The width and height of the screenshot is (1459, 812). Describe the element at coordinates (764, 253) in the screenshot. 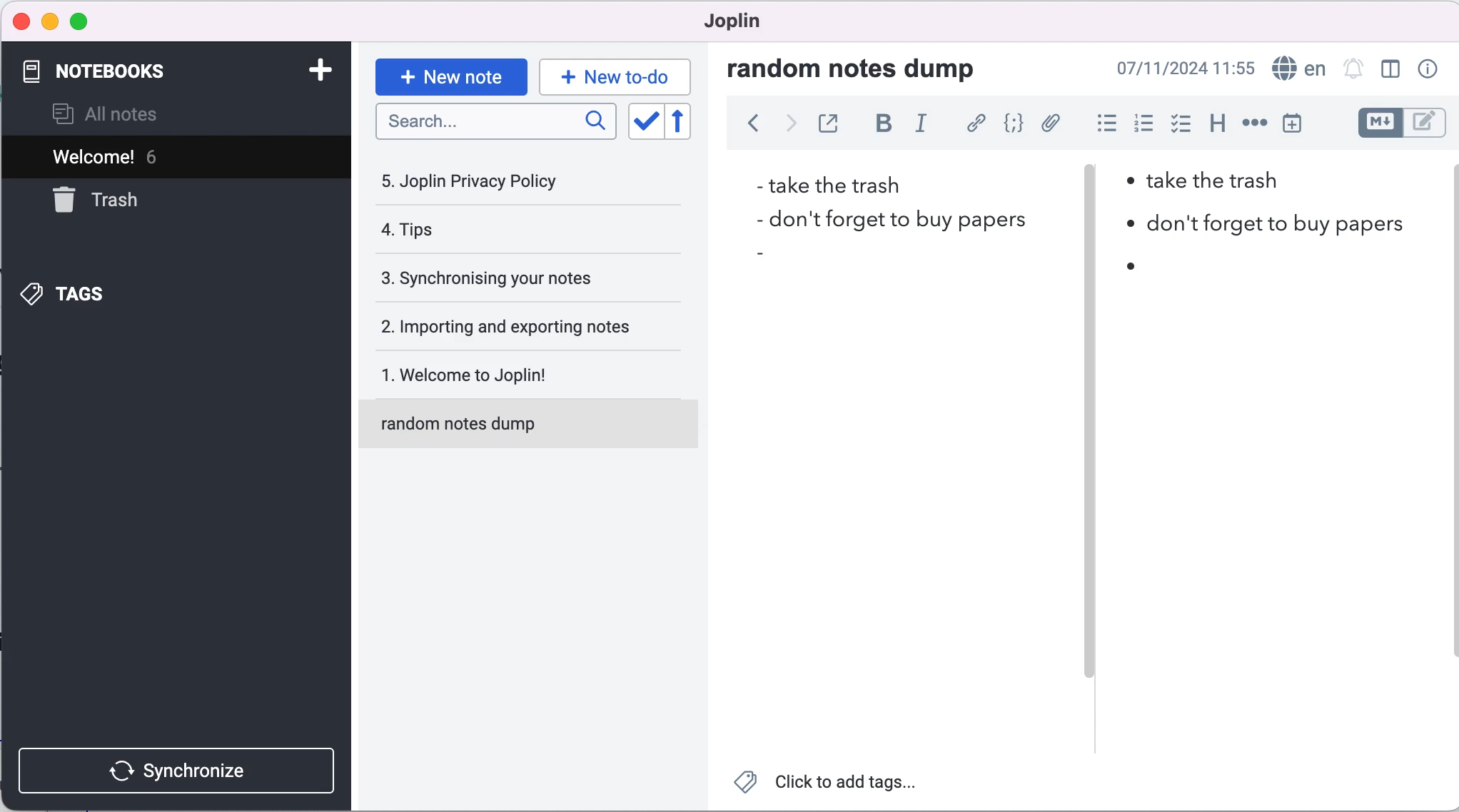

I see `bullet point 3` at that location.